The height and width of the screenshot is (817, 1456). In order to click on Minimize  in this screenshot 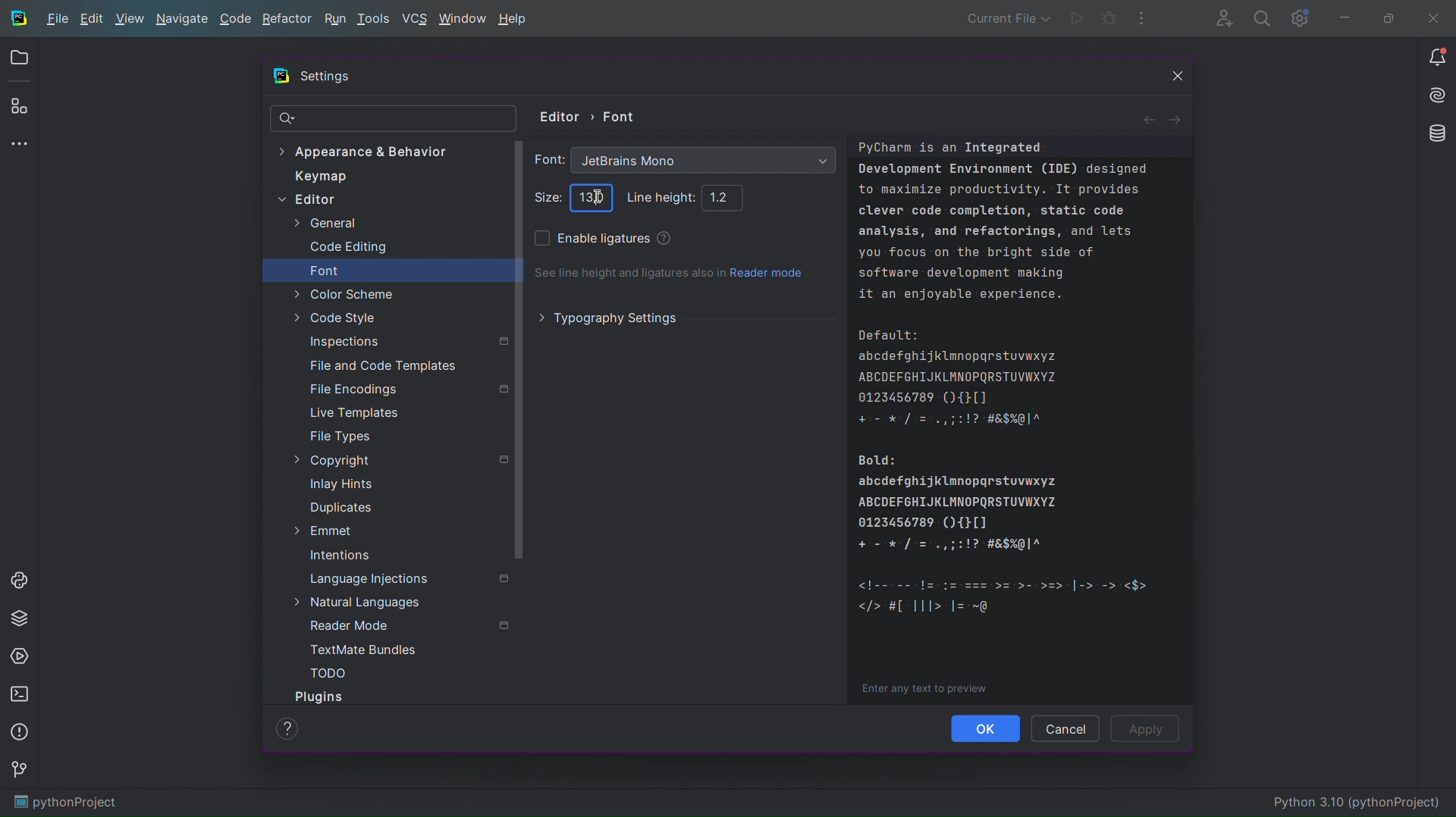, I will do `click(1344, 18)`.